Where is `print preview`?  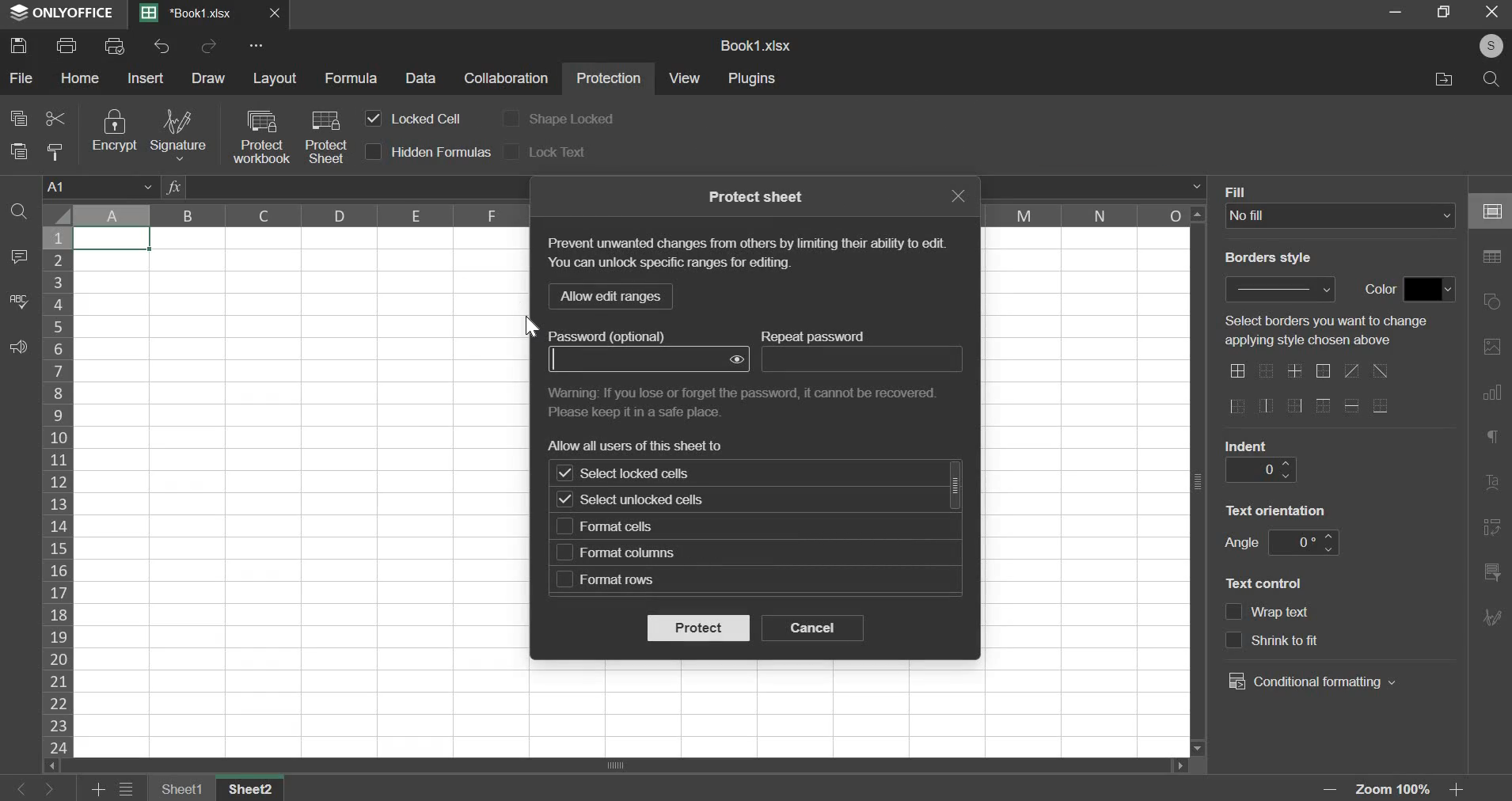 print preview is located at coordinates (113, 44).